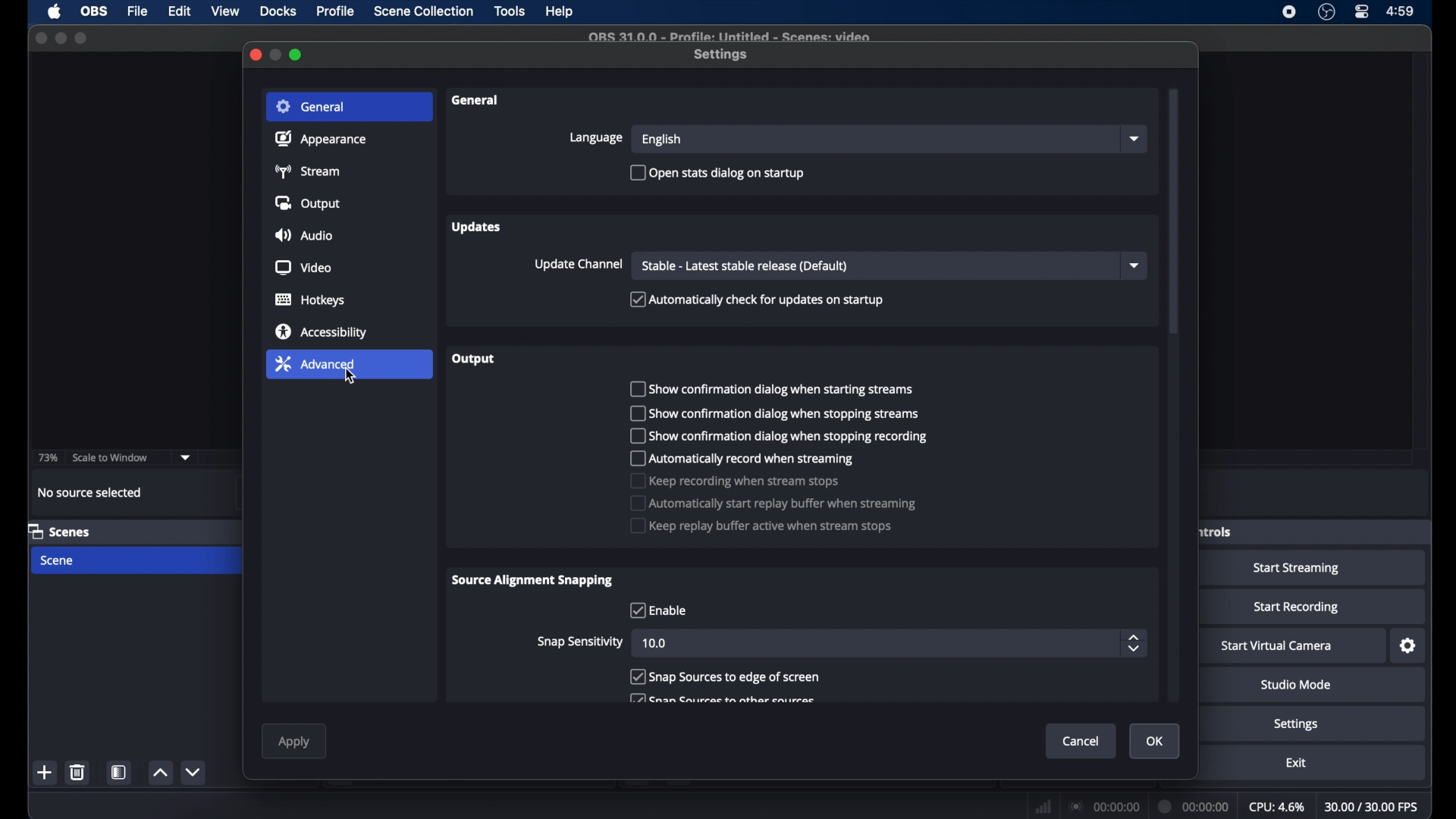 The image size is (1456, 819). I want to click on tools, so click(510, 11).